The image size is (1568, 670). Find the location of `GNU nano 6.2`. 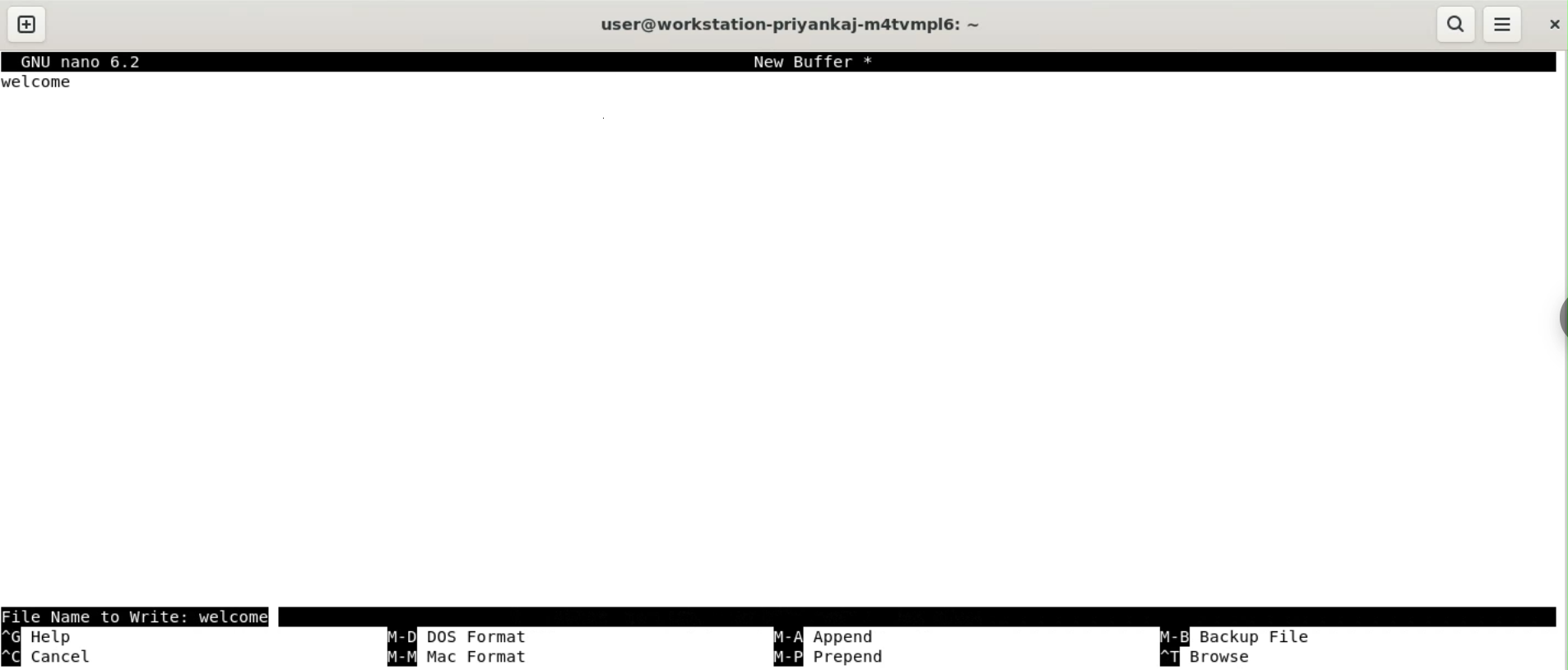

GNU nano 6.2 is located at coordinates (87, 63).